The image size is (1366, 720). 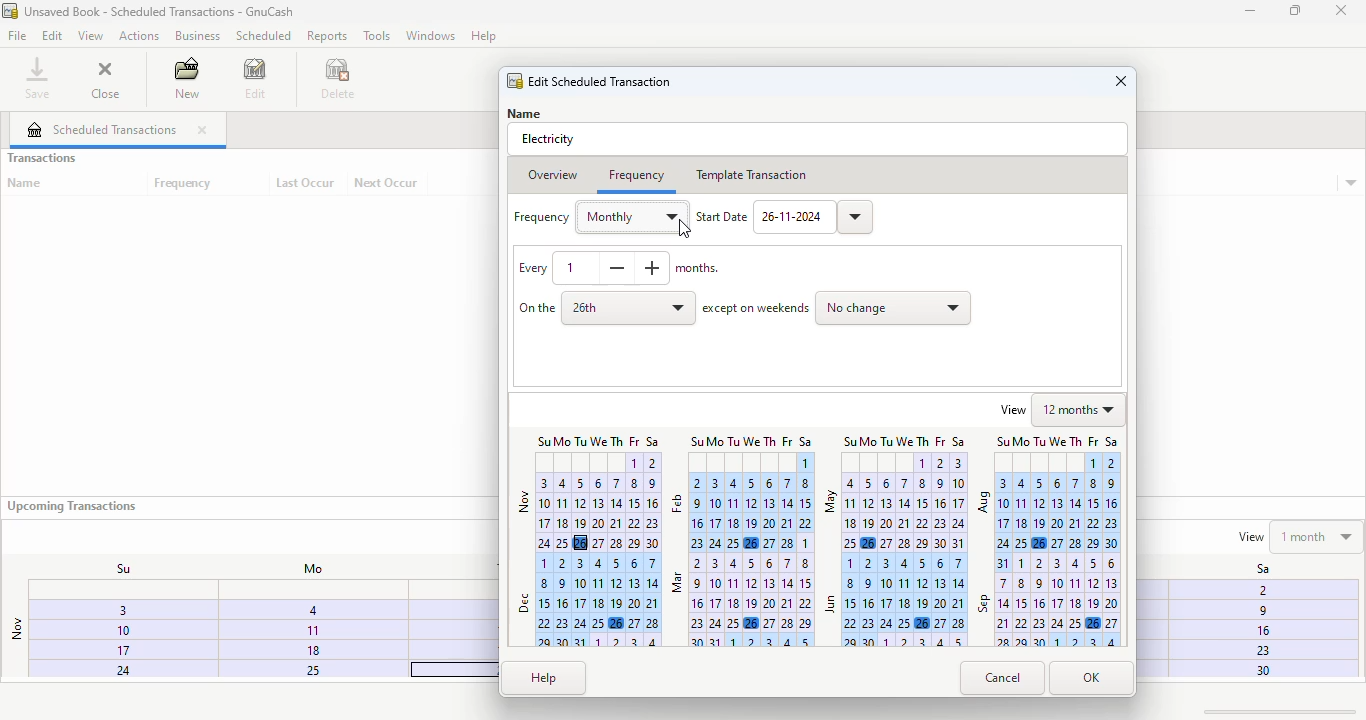 I want to click on September calendar, so click(x=1048, y=600).